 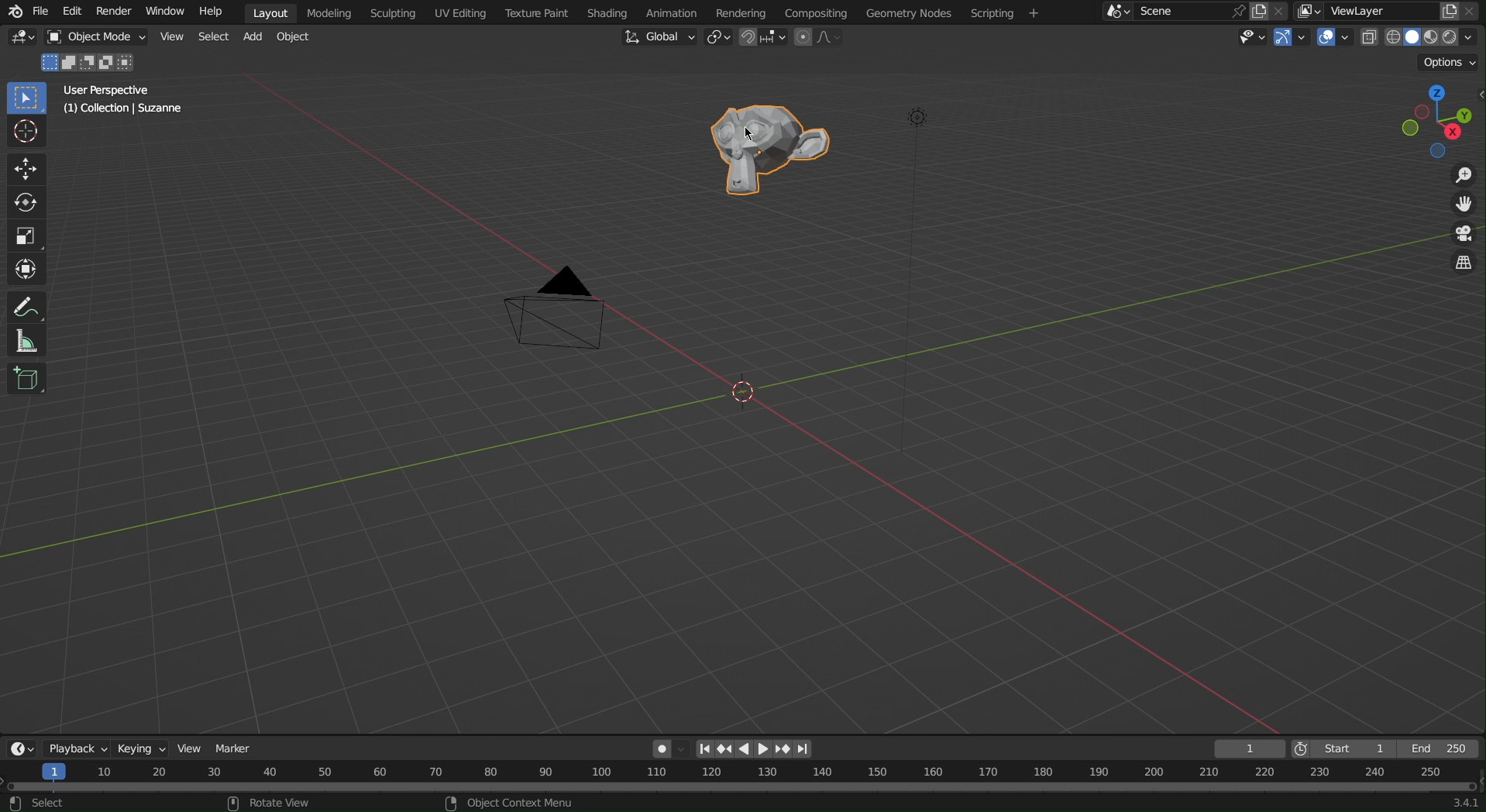 What do you see at coordinates (108, 64) in the screenshot?
I see `invert existing selection` at bounding box center [108, 64].